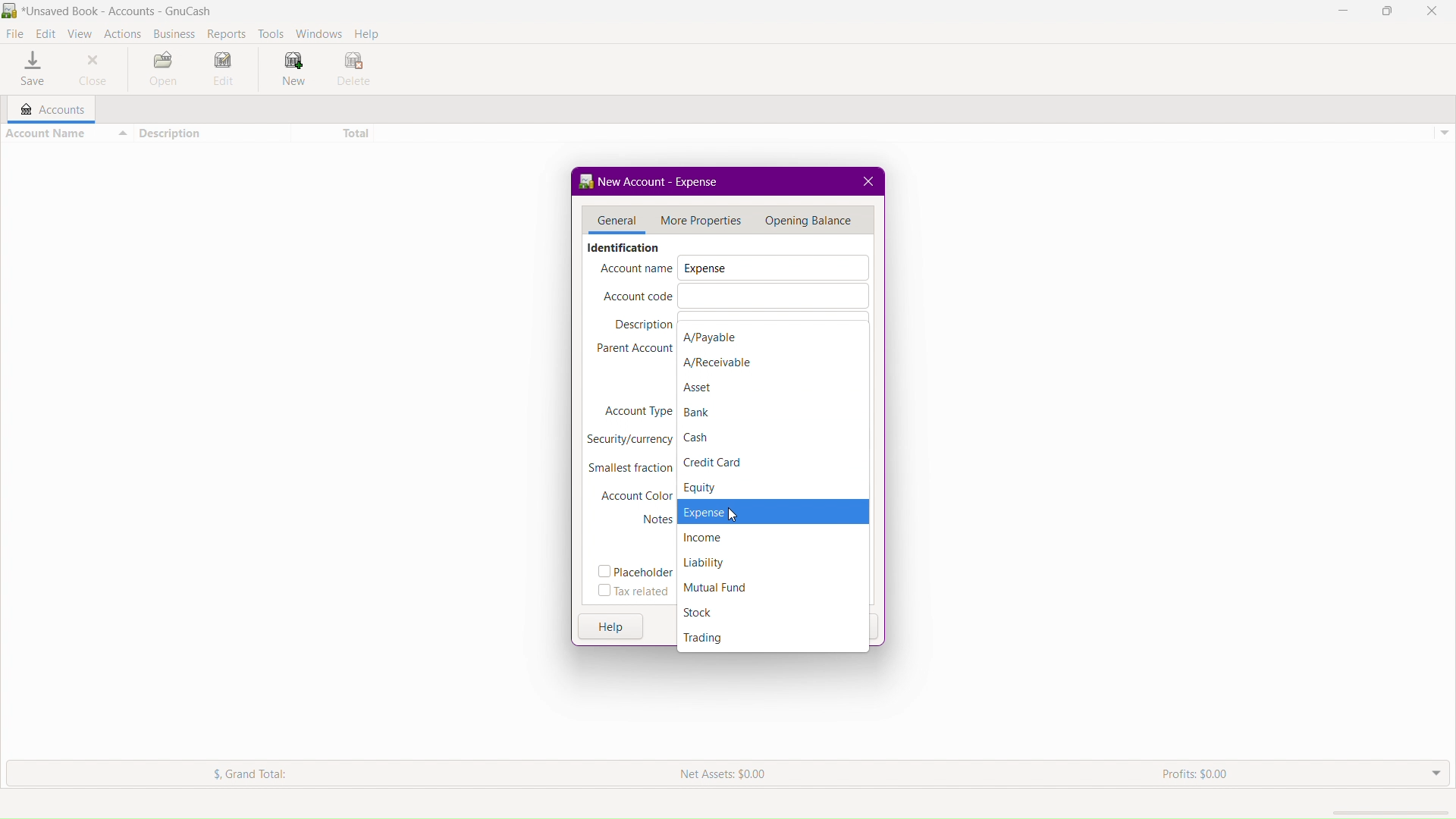  I want to click on $. Grand Total, so click(231, 773).